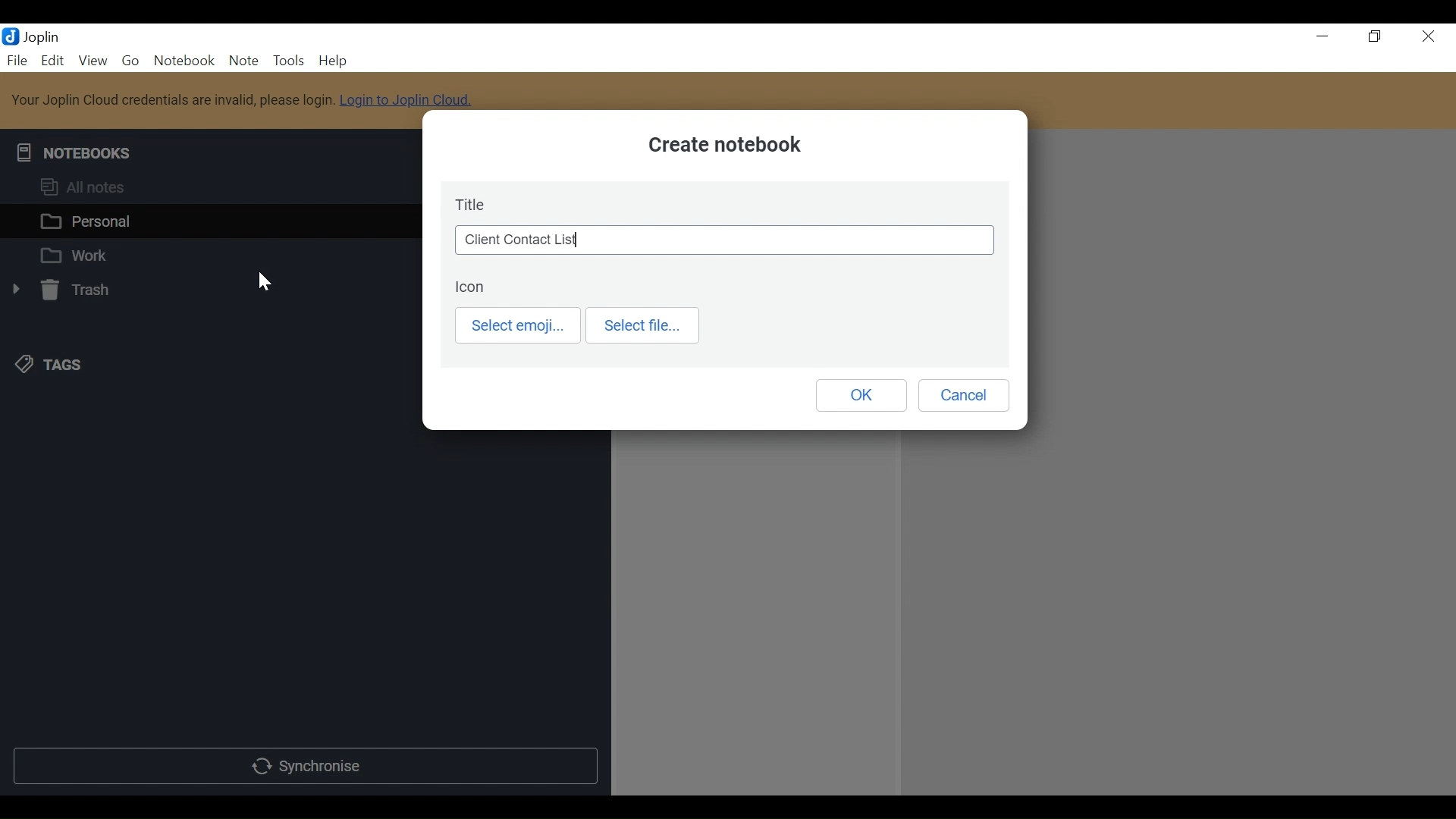 The height and width of the screenshot is (819, 1456). What do you see at coordinates (264, 285) in the screenshot?
I see `Cursor` at bounding box center [264, 285].